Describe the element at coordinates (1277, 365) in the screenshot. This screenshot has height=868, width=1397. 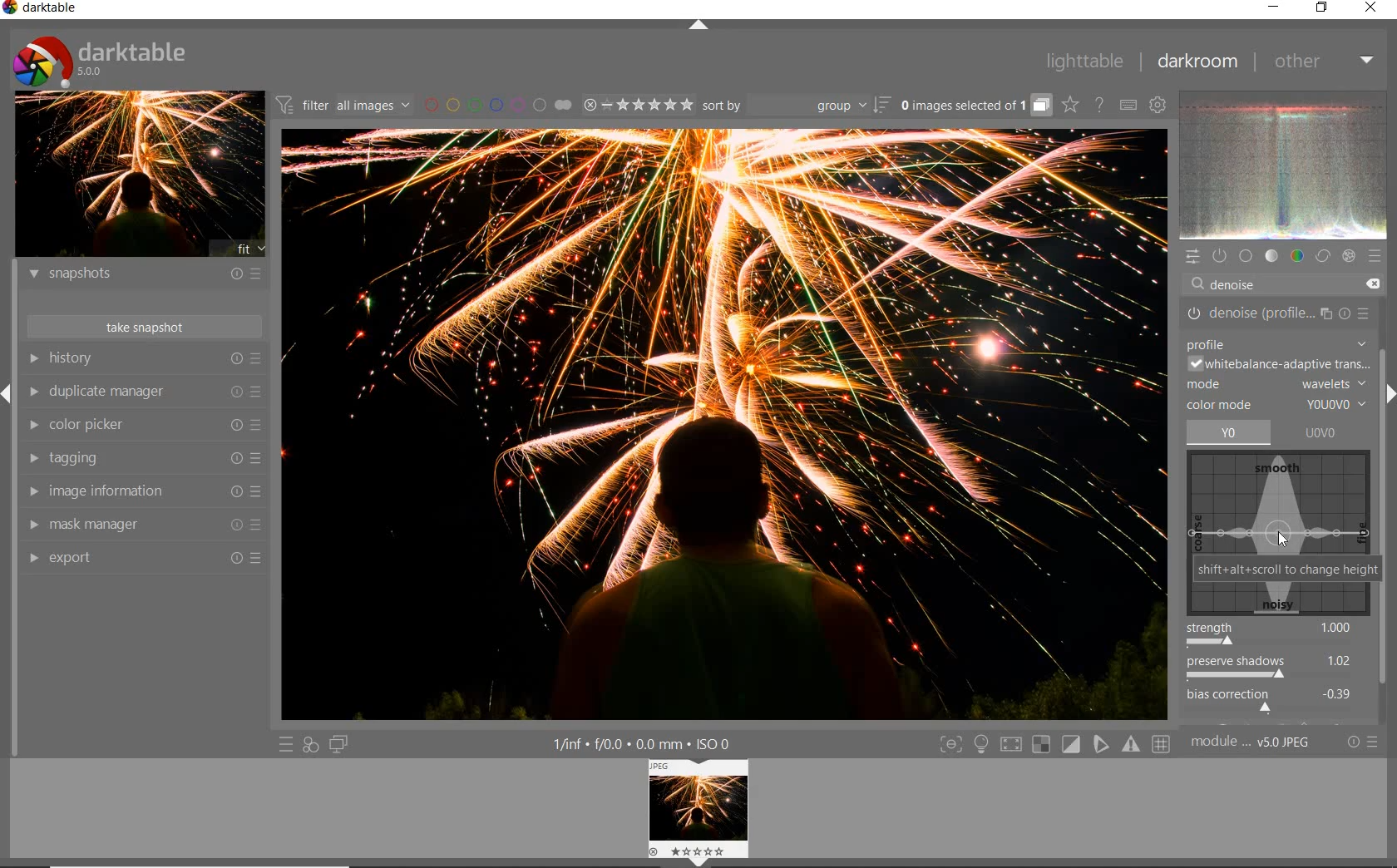
I see `WHITEBALANCE-ADAPTIVE TRANSITION` at that location.